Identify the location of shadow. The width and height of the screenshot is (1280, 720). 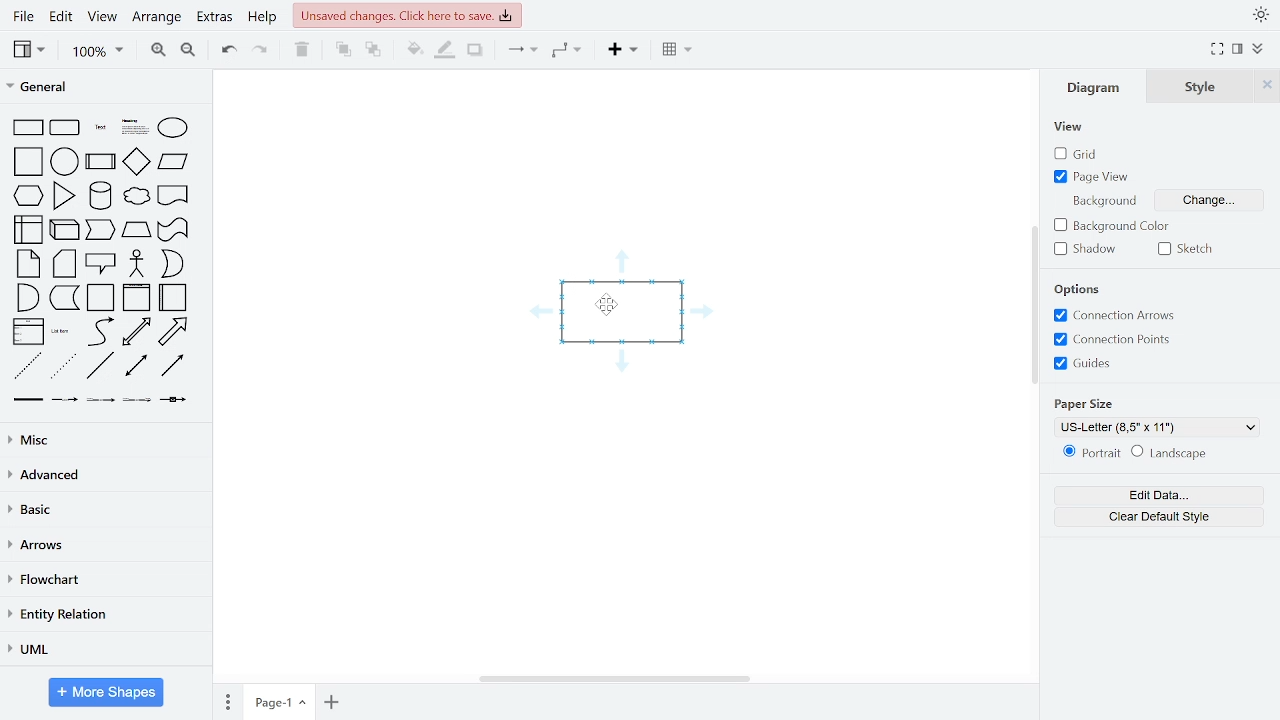
(1086, 248).